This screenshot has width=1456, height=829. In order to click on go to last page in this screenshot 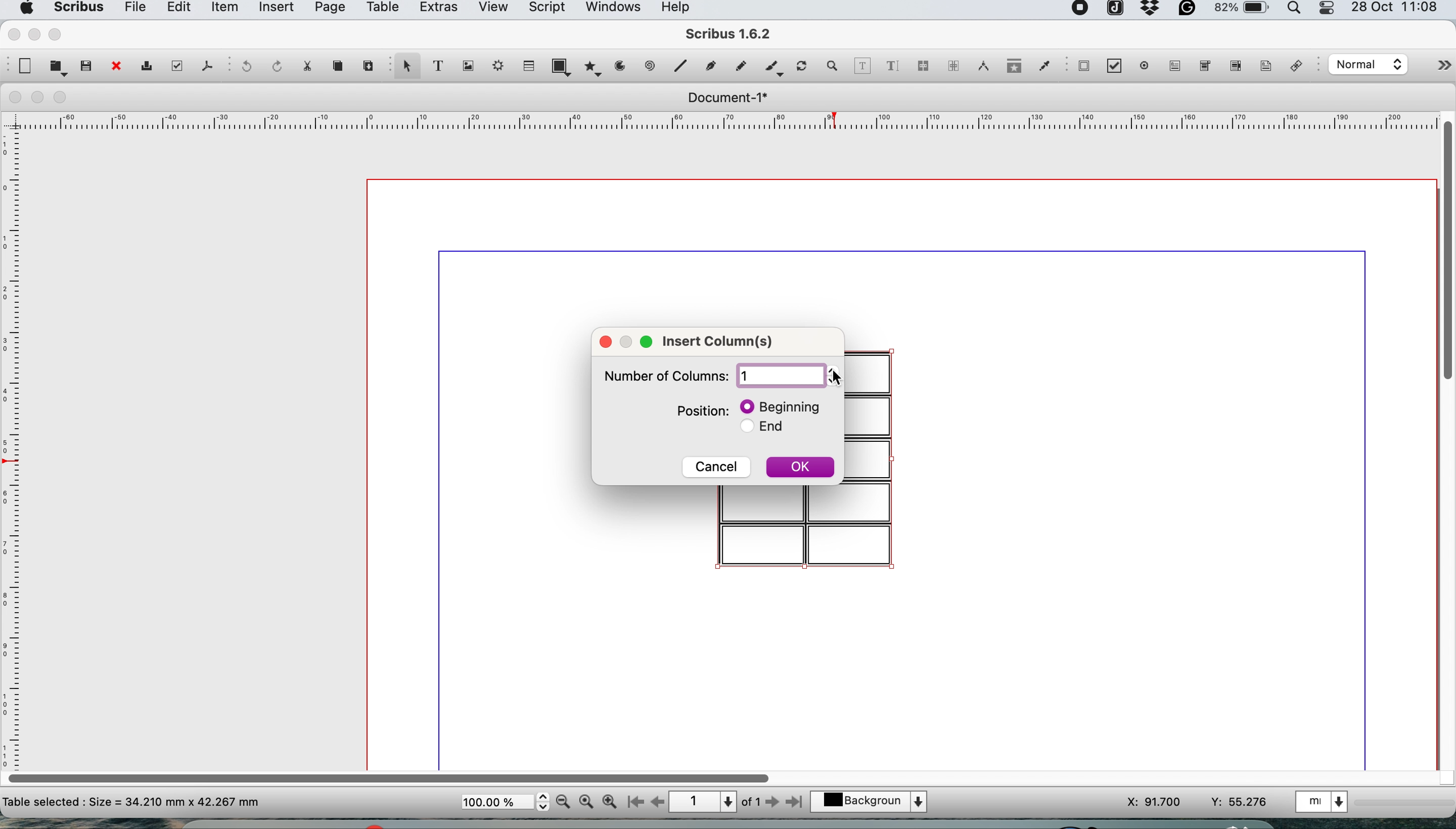, I will do `click(797, 801)`.